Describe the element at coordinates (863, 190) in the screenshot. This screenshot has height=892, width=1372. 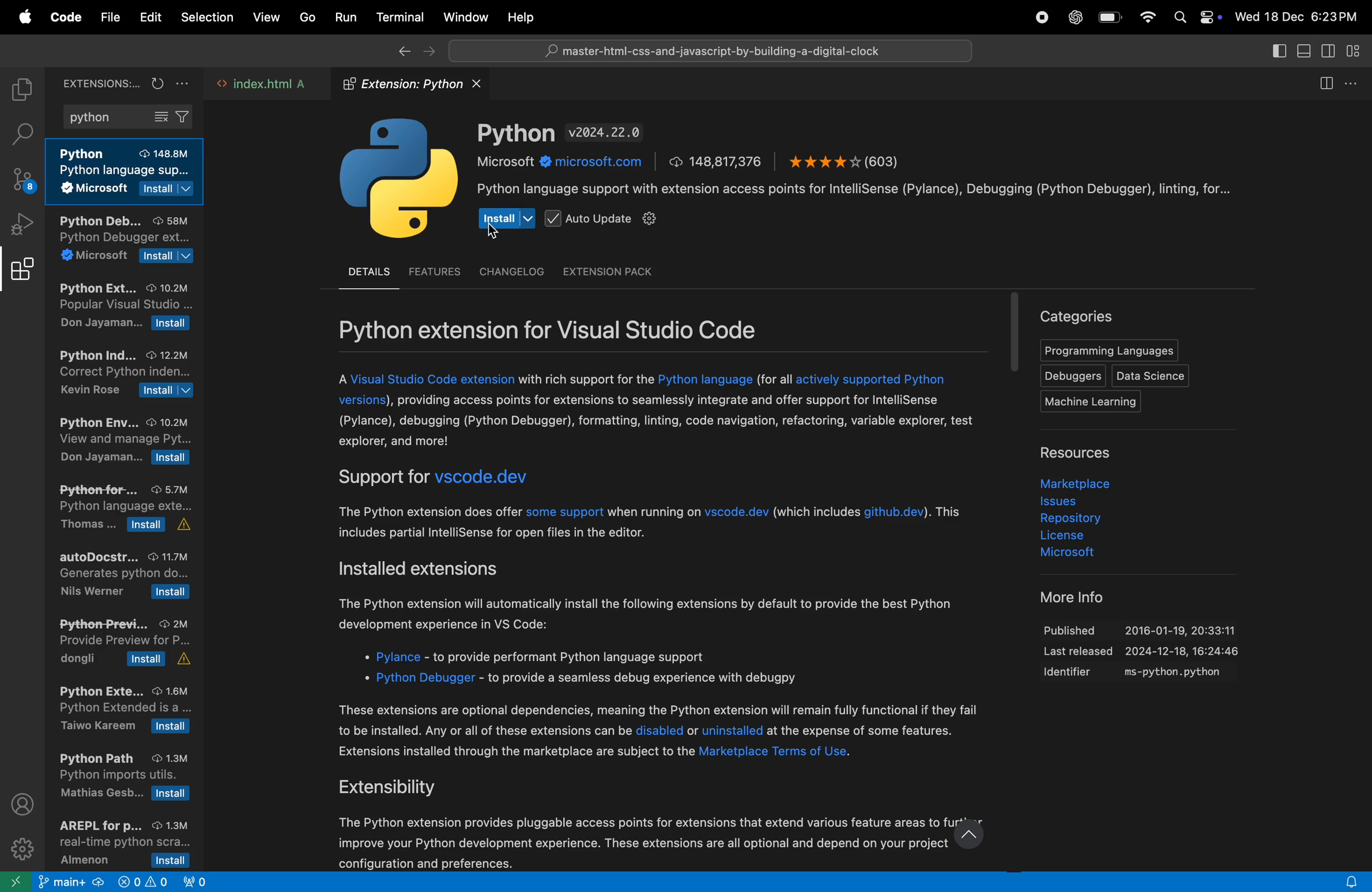
I see `description` at that location.